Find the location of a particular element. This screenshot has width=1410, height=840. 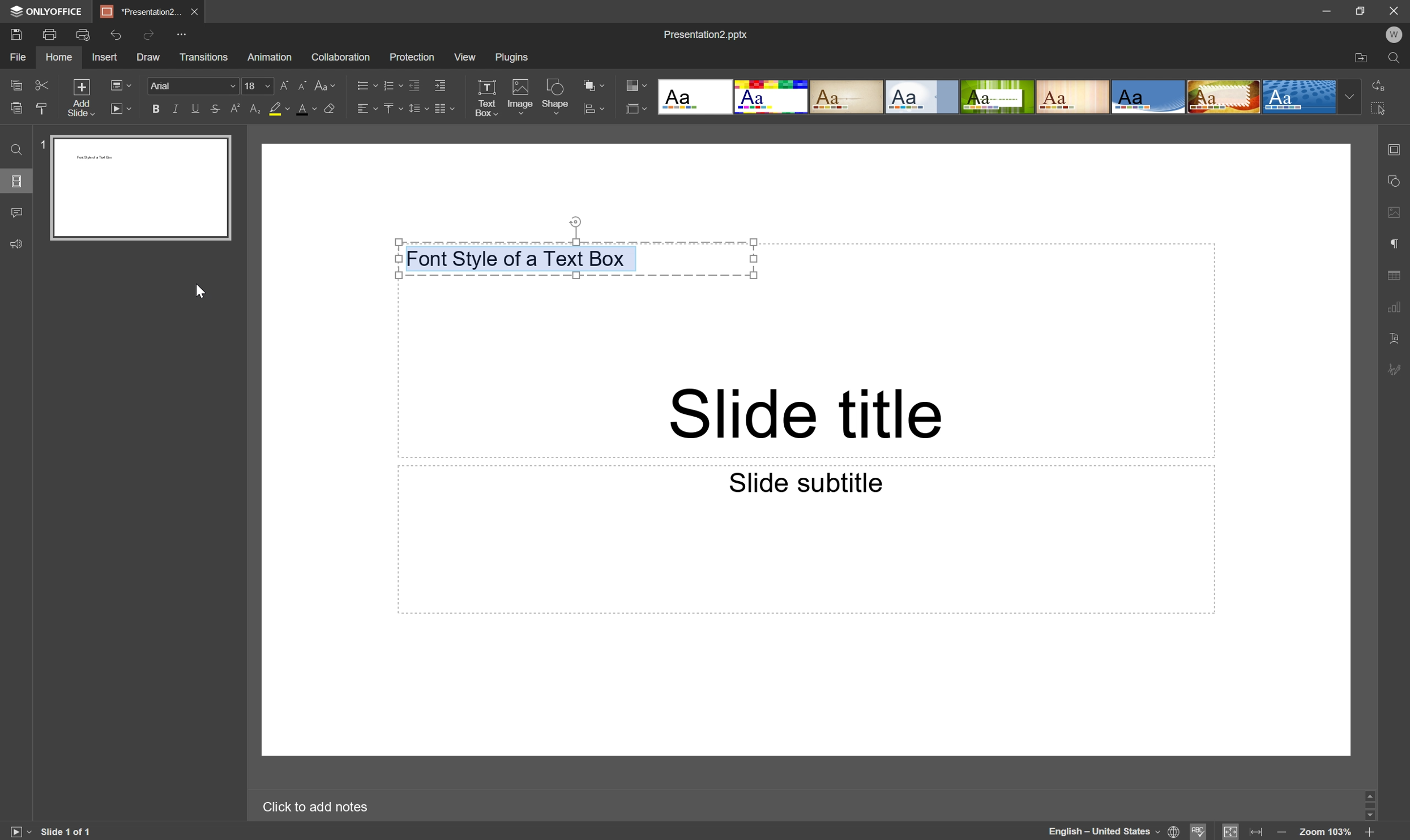

Text Box is located at coordinates (486, 97).